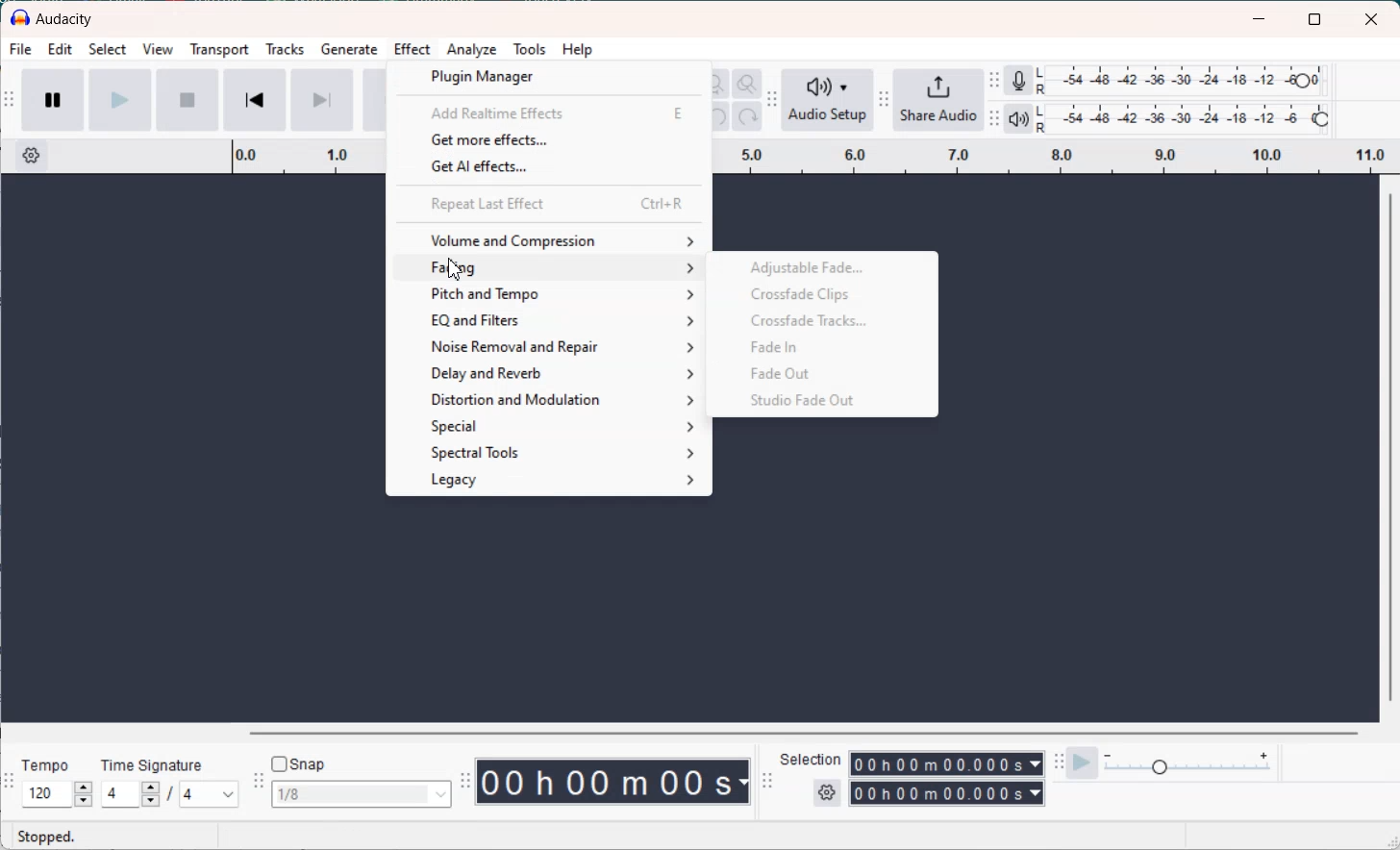  I want to click on 4, so click(209, 794).